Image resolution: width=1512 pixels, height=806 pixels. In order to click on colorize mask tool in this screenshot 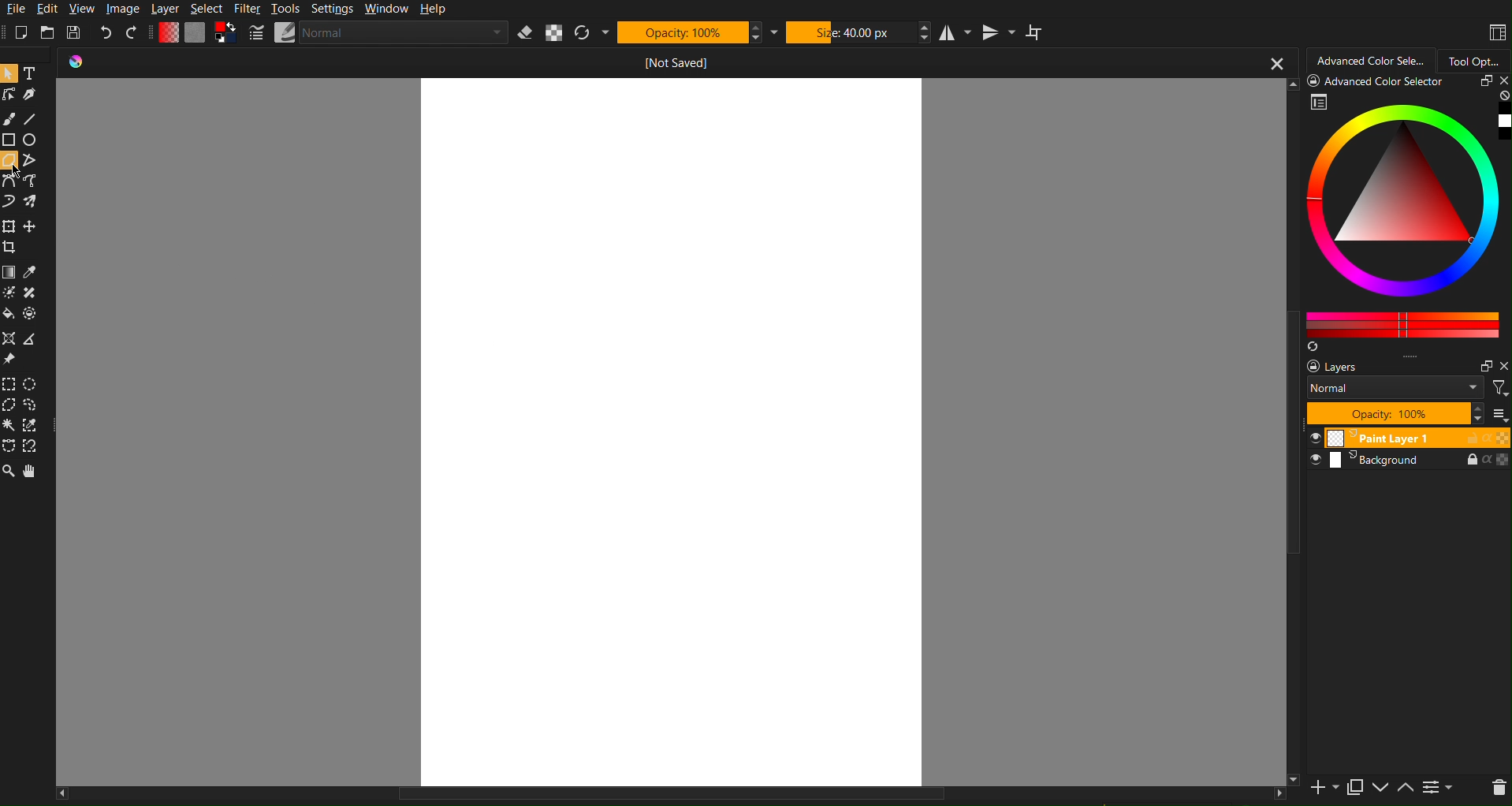, I will do `click(12, 293)`.